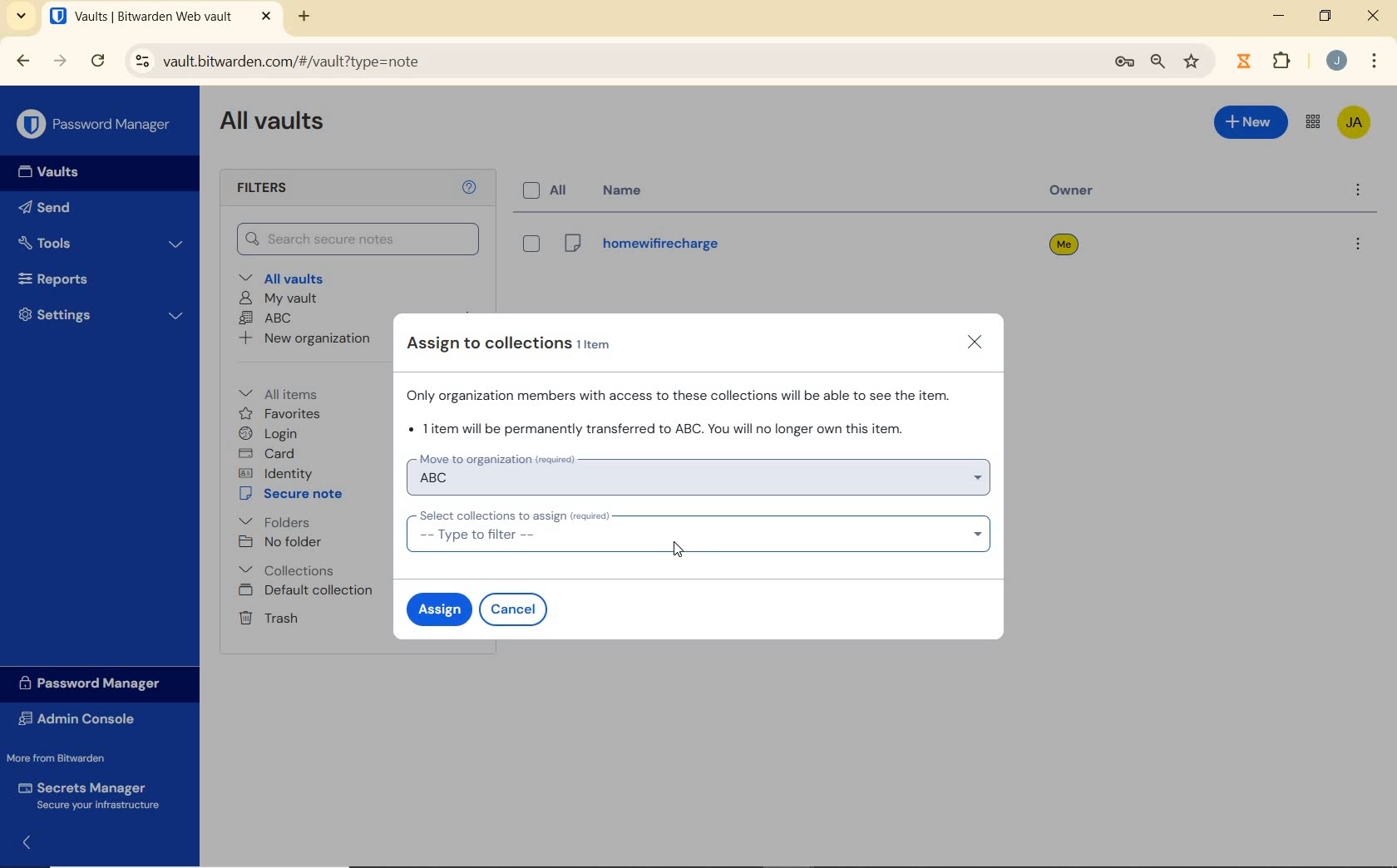 This screenshot has height=868, width=1397. Describe the element at coordinates (1158, 63) in the screenshot. I see `zoom` at that location.